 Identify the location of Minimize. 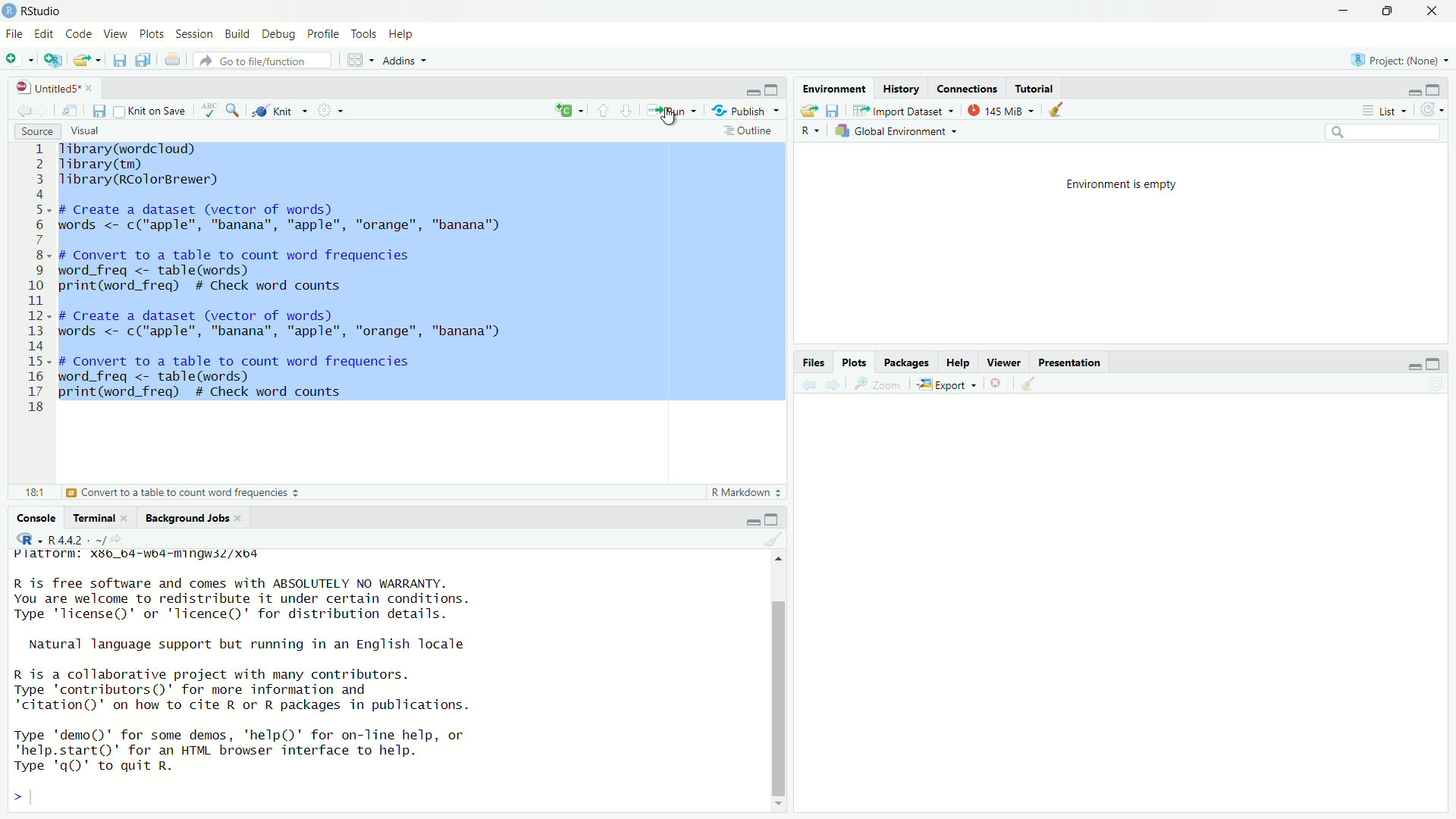
(1414, 95).